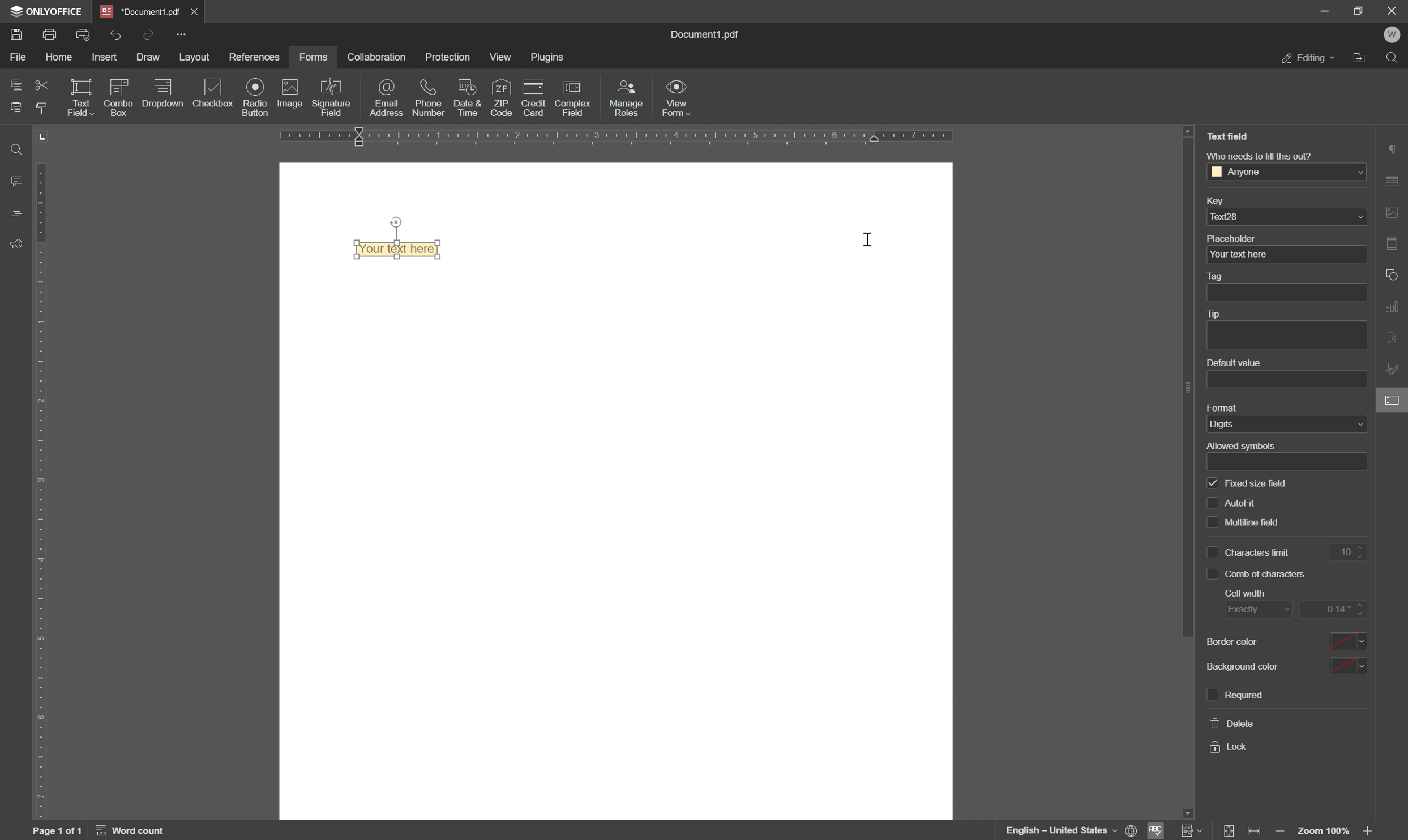 The width and height of the screenshot is (1408, 840). What do you see at coordinates (1394, 58) in the screenshot?
I see `find` at bounding box center [1394, 58].